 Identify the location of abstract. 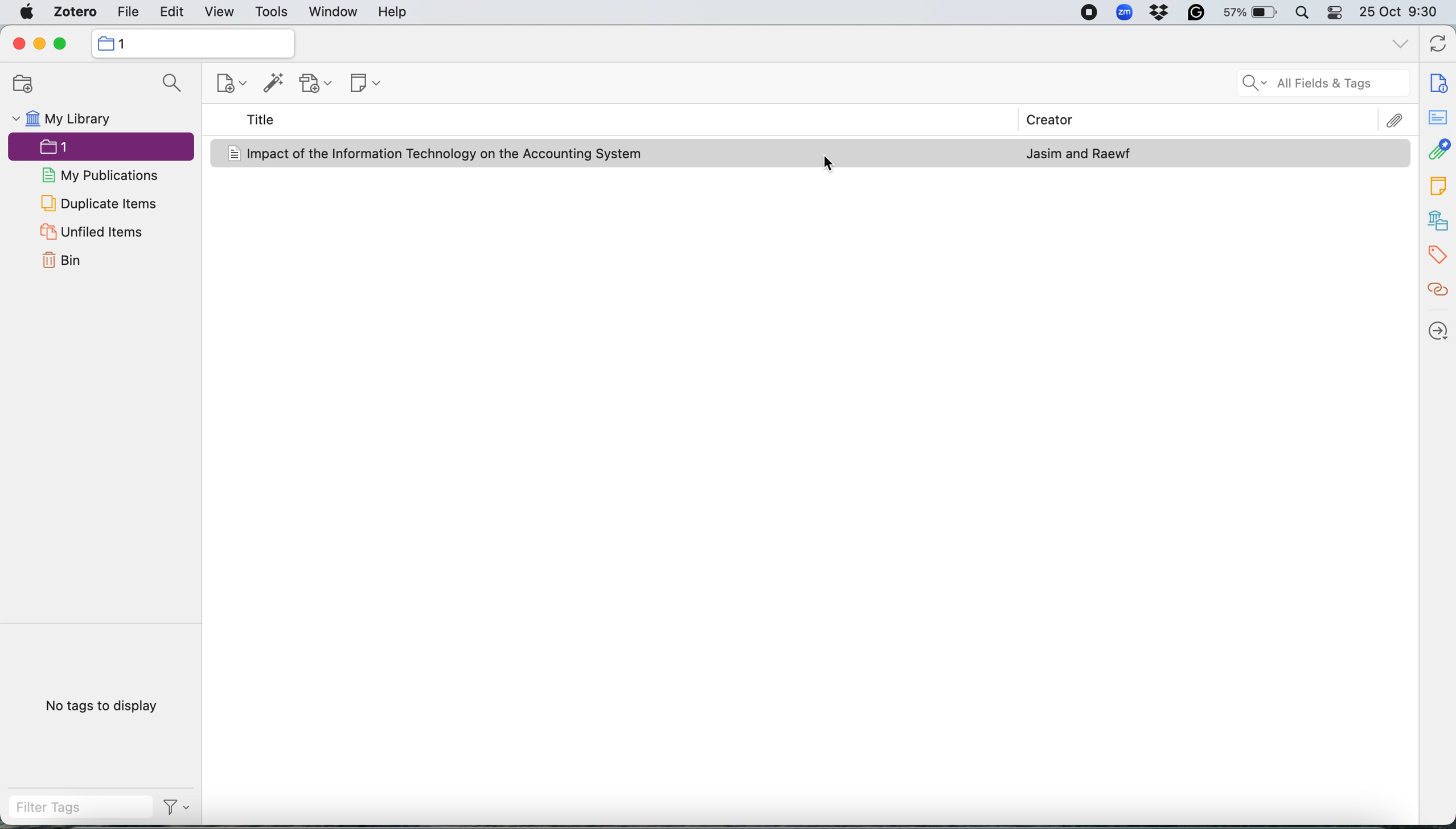
(1436, 119).